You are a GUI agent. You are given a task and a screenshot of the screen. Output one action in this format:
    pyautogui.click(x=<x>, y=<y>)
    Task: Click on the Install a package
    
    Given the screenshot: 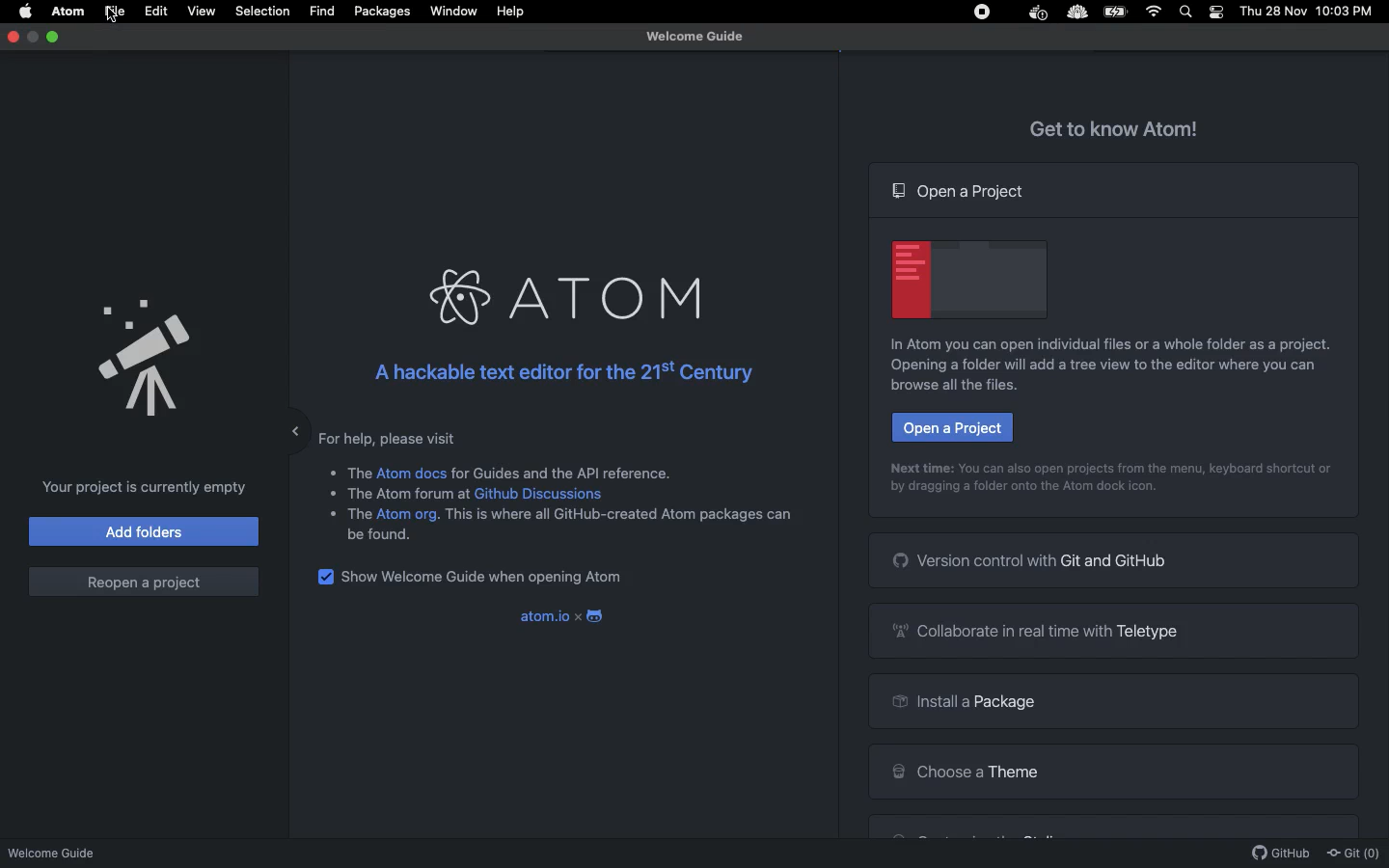 What is the action you would take?
    pyautogui.click(x=960, y=704)
    